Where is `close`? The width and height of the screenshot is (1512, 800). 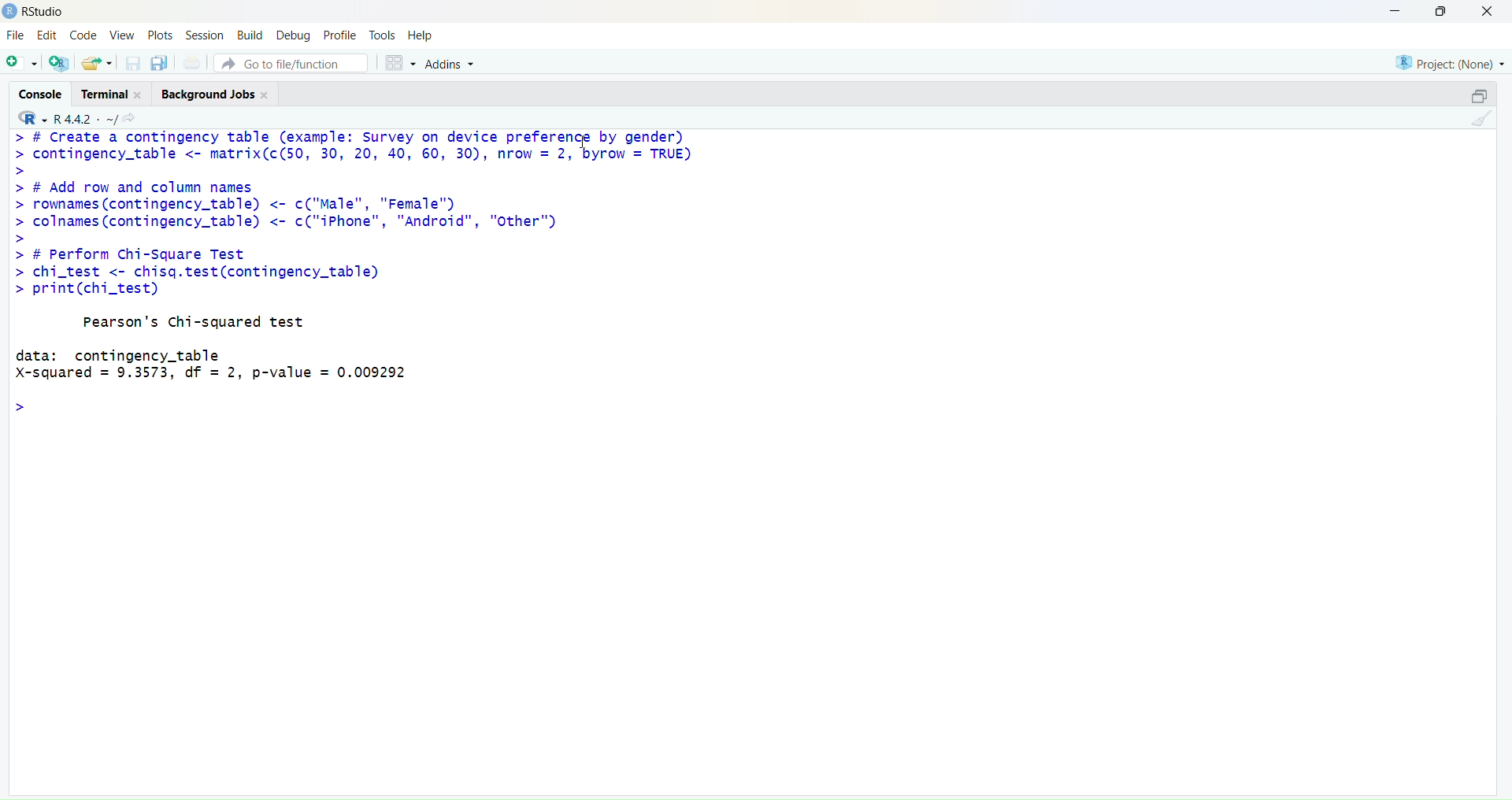
close is located at coordinates (139, 95).